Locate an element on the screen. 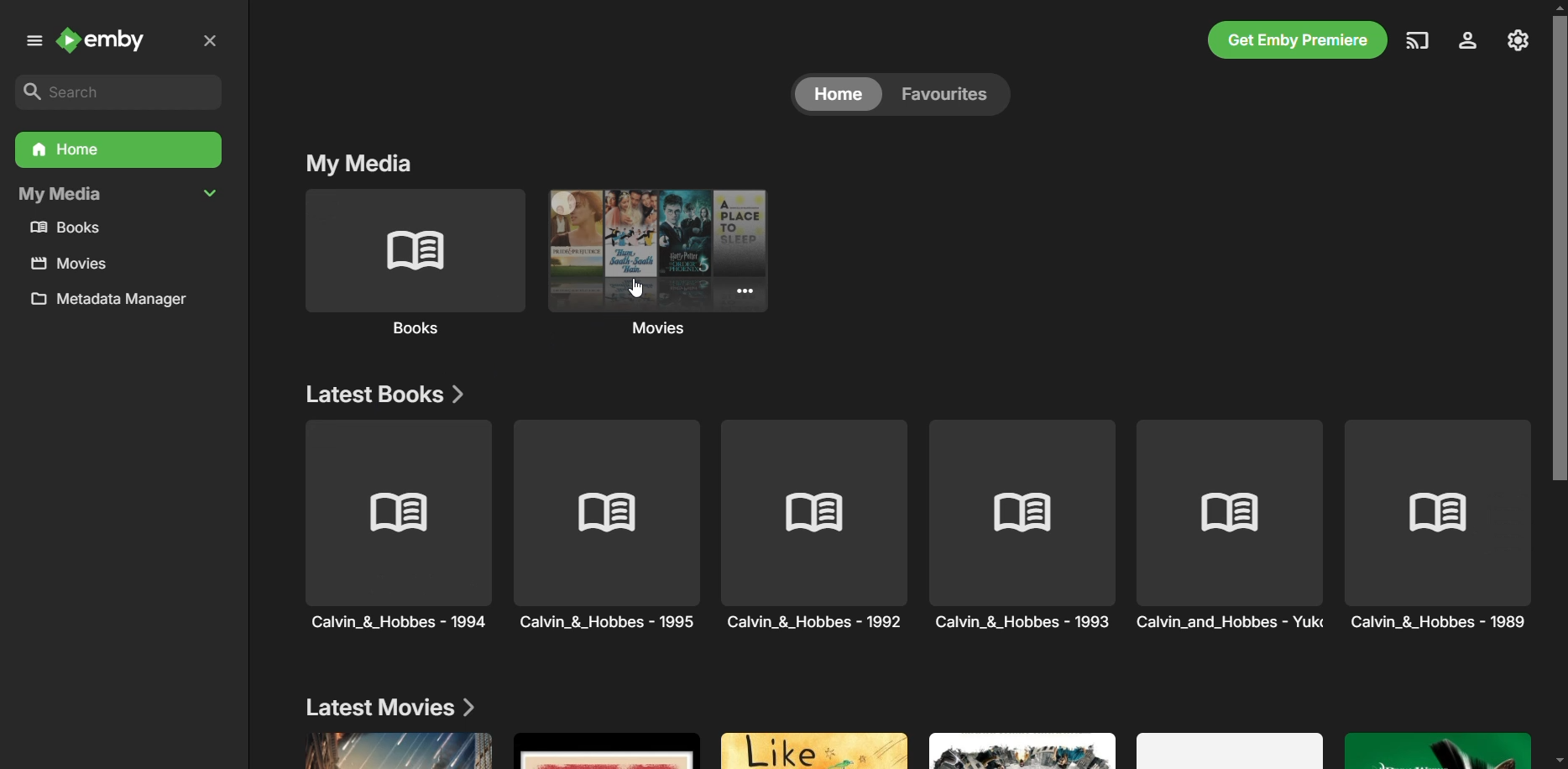   is located at coordinates (64, 193).